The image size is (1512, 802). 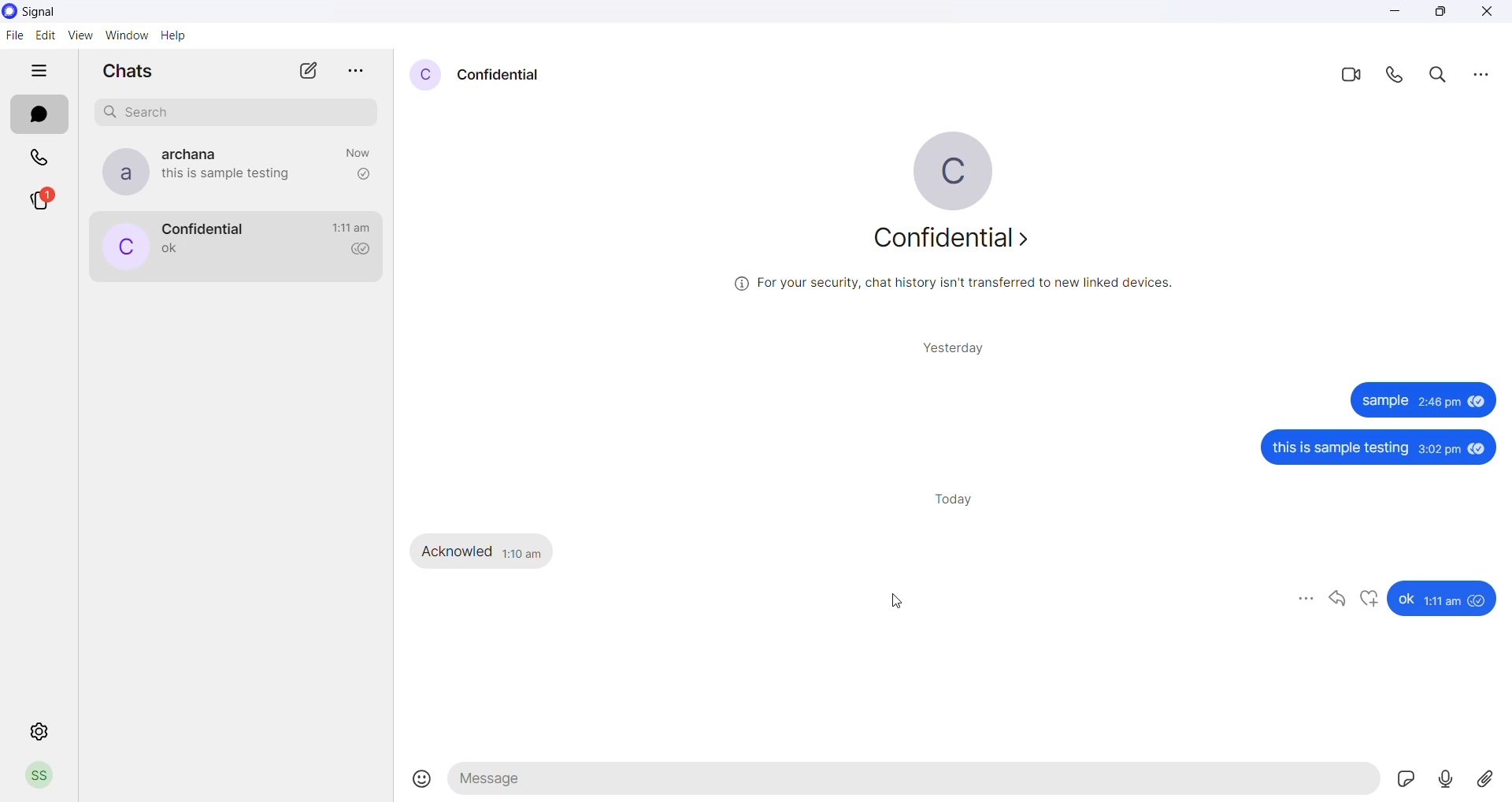 What do you see at coordinates (1480, 601) in the screenshot?
I see `seen` at bounding box center [1480, 601].